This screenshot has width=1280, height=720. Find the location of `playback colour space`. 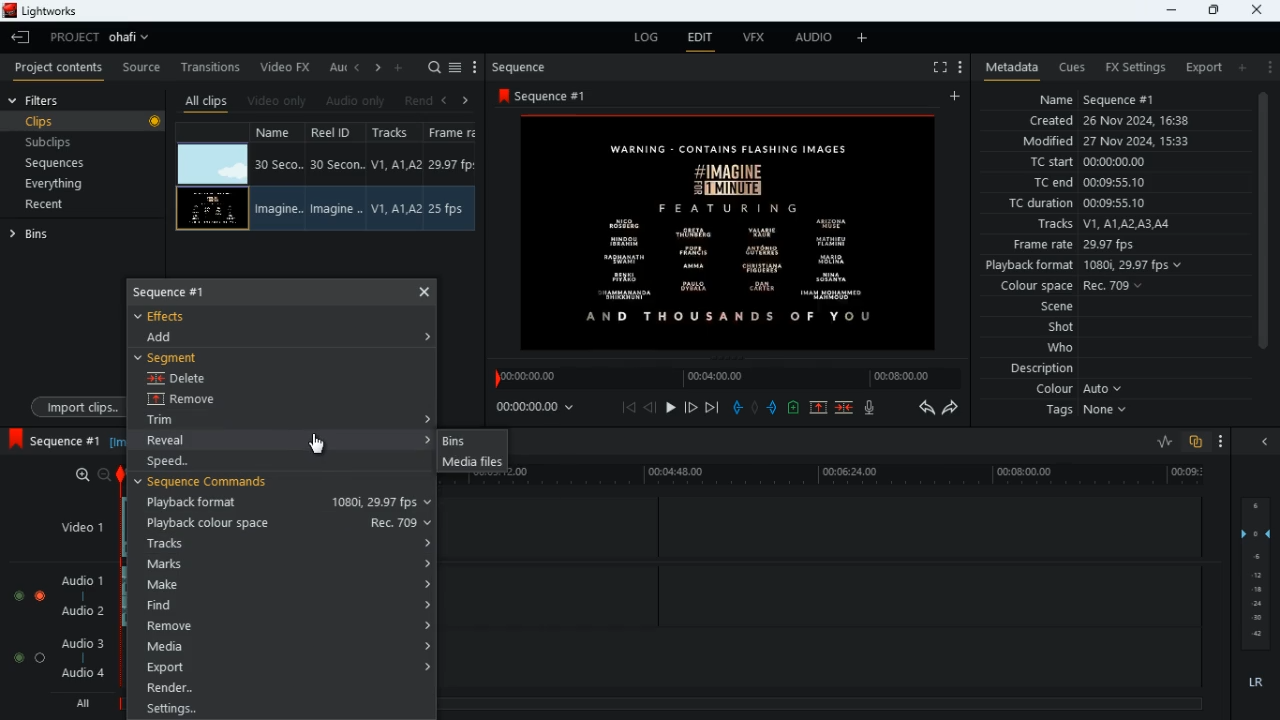

playback colour space is located at coordinates (282, 523).